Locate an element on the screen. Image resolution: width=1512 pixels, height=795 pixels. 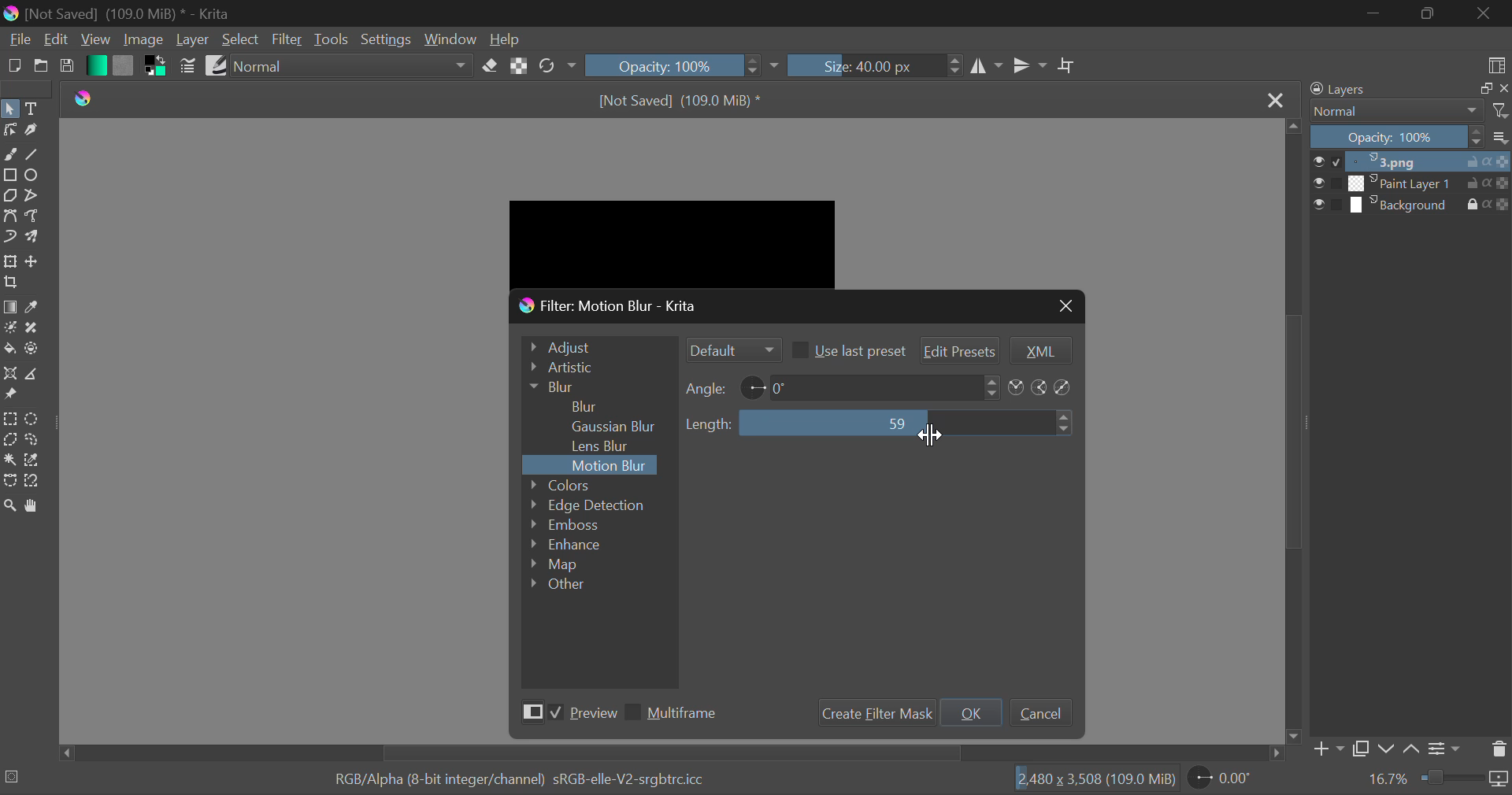
16.7% is located at coordinates (1388, 779).